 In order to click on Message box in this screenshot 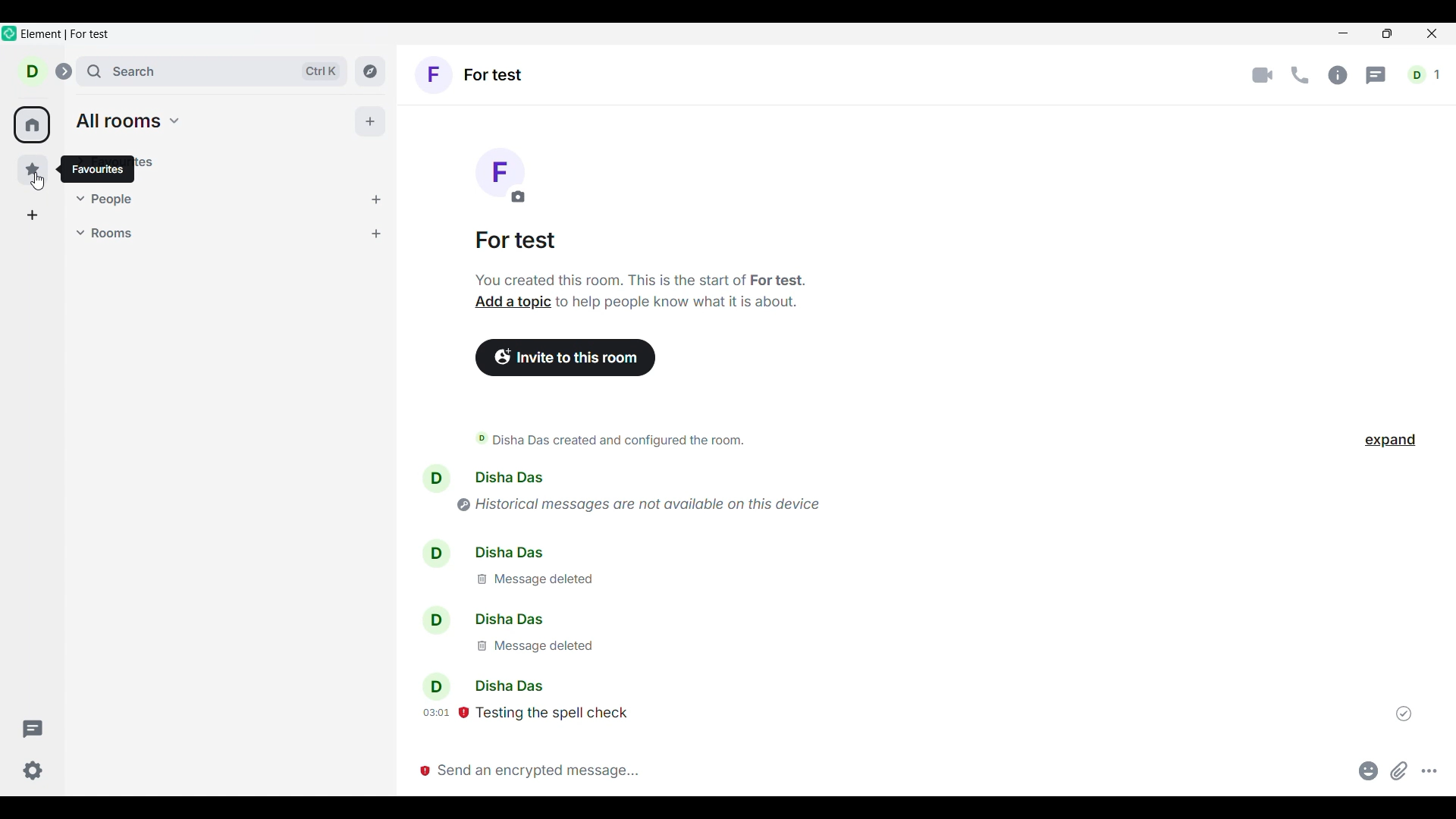, I will do `click(885, 770)`.